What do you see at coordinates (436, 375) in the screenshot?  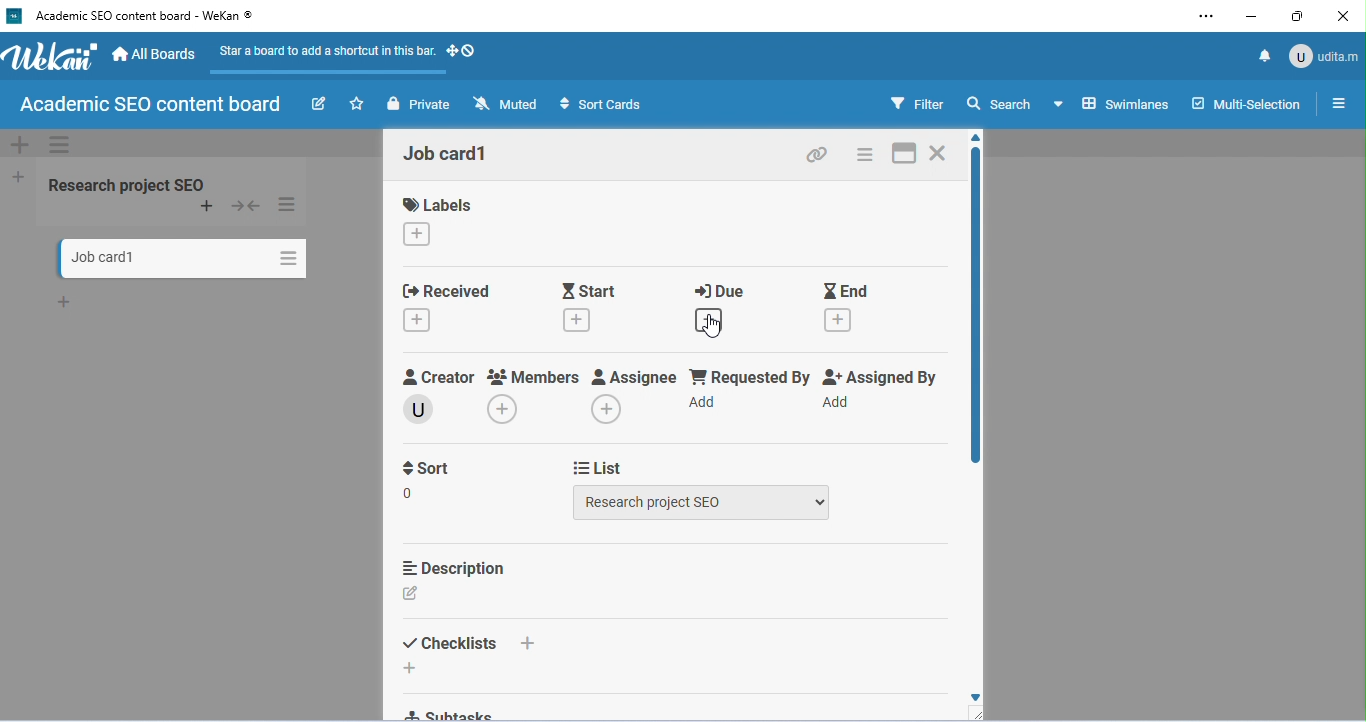 I see `creator` at bounding box center [436, 375].